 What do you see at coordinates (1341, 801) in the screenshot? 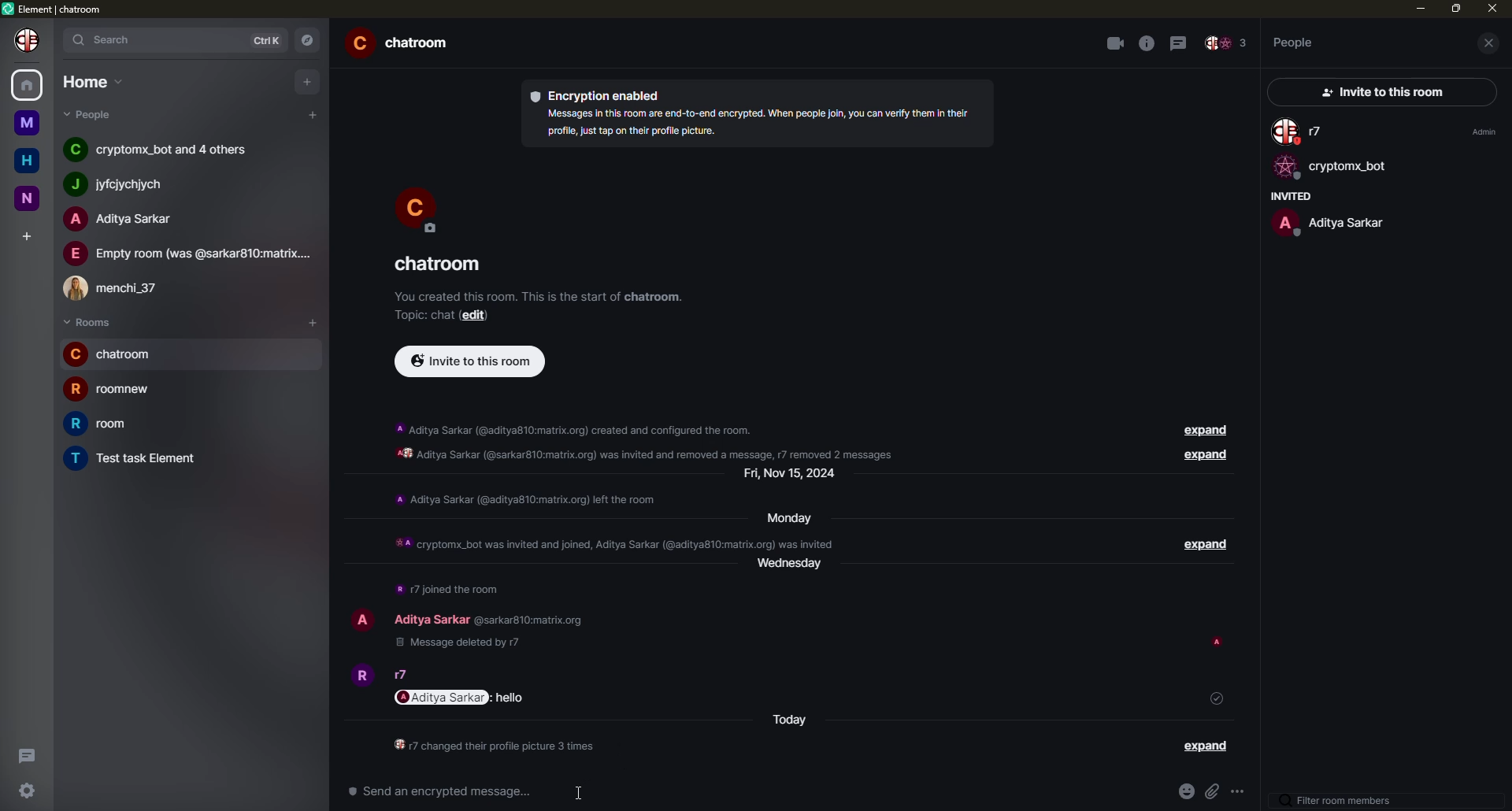
I see `filter room members` at bounding box center [1341, 801].